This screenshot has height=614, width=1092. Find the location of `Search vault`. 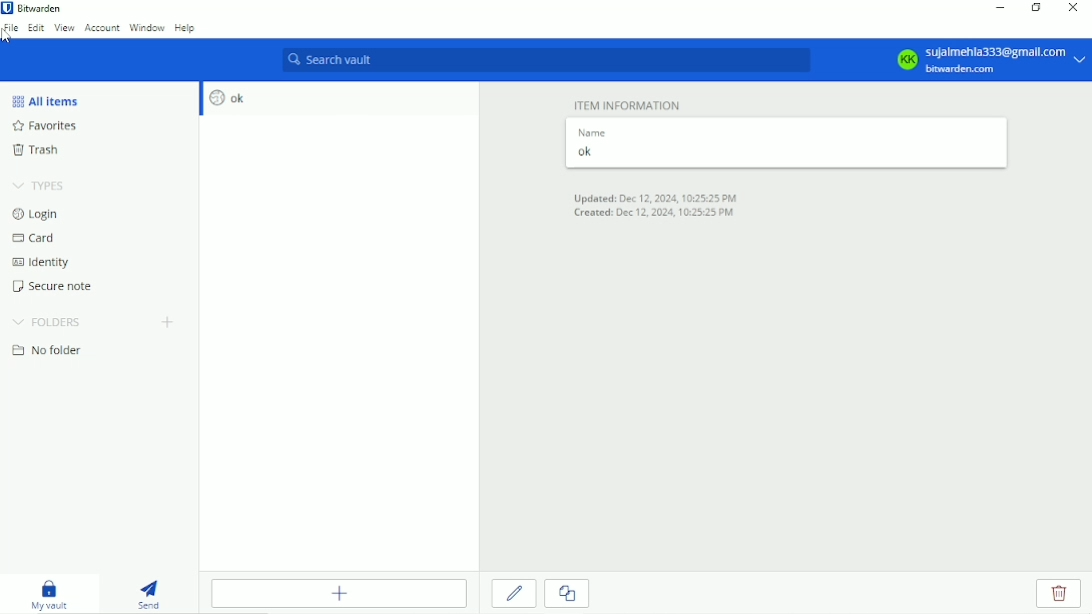

Search vault is located at coordinates (546, 60).